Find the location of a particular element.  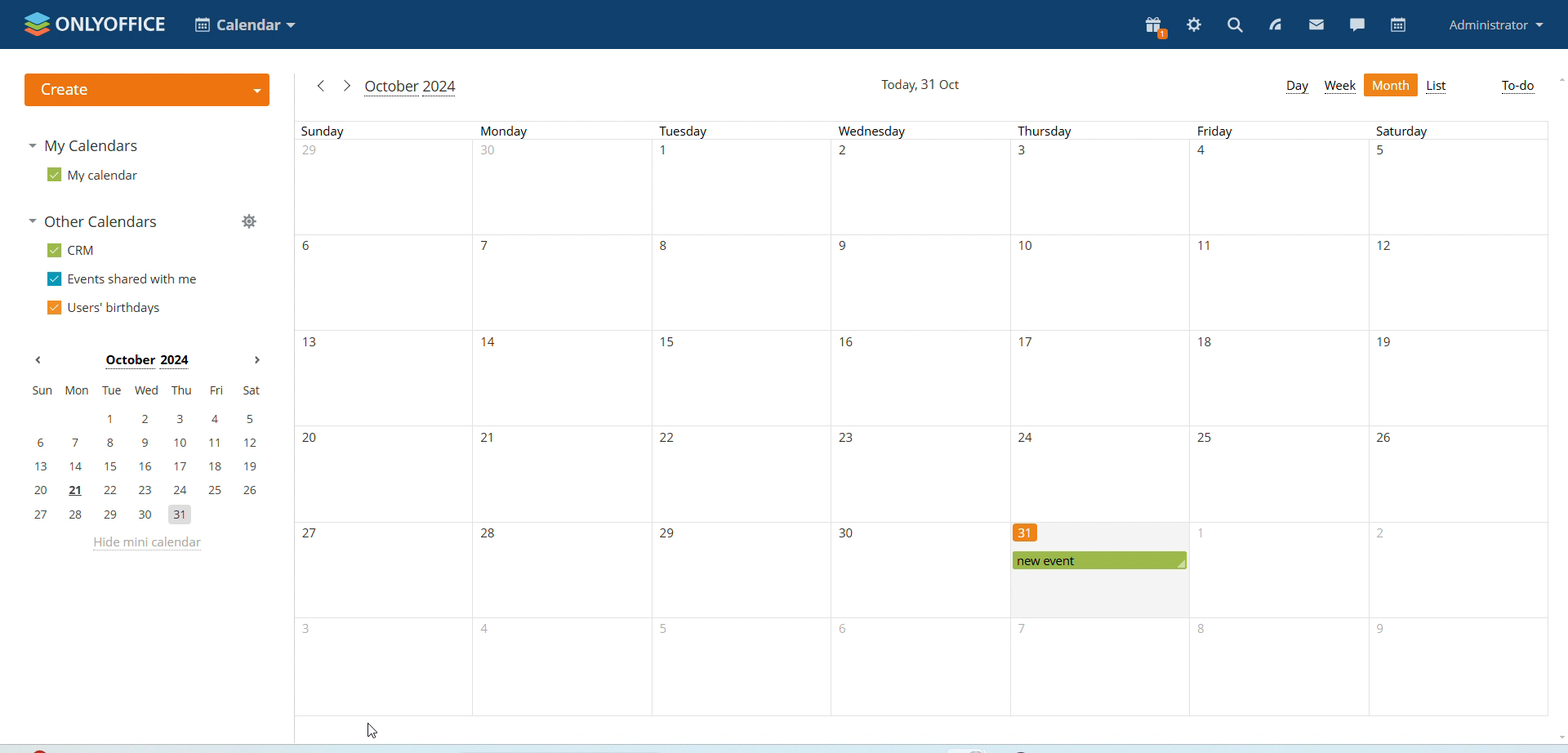

Tuesdays is located at coordinates (739, 419).